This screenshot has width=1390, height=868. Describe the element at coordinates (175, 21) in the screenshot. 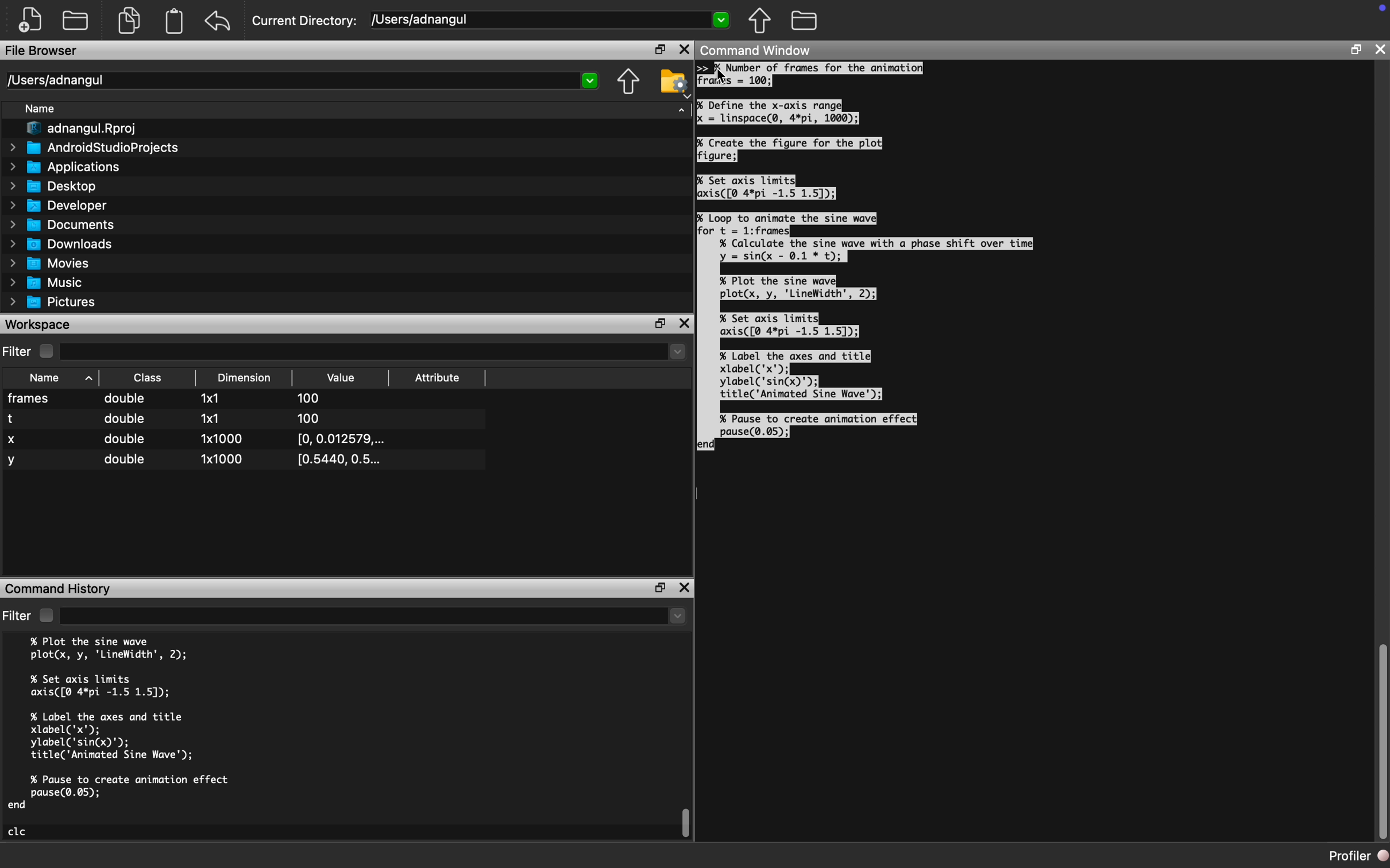

I see `Clipboard` at that location.